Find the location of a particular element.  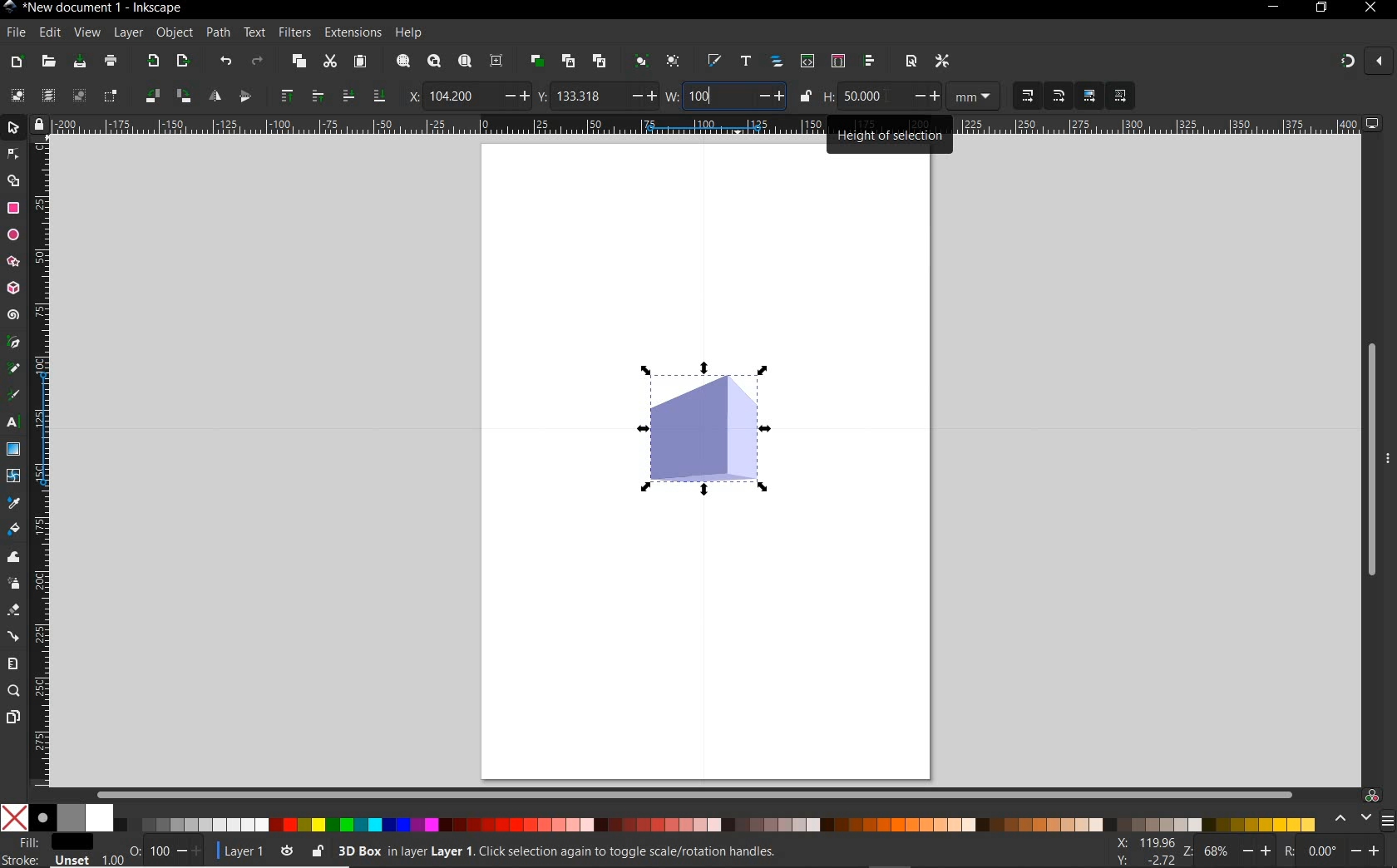

no objects selected is located at coordinates (644, 849).